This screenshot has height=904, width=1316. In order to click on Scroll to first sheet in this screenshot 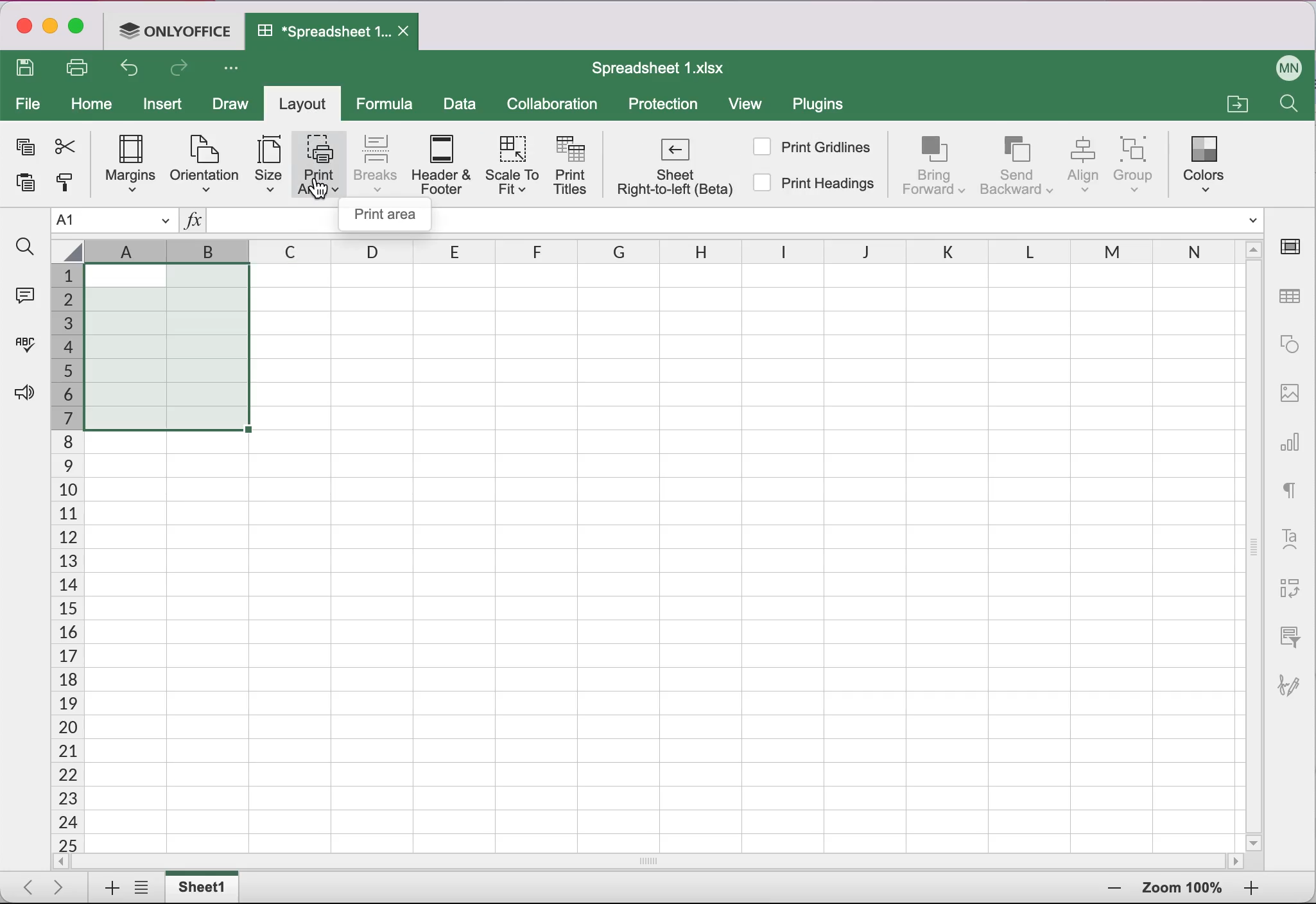, I will do `click(24, 883)`.